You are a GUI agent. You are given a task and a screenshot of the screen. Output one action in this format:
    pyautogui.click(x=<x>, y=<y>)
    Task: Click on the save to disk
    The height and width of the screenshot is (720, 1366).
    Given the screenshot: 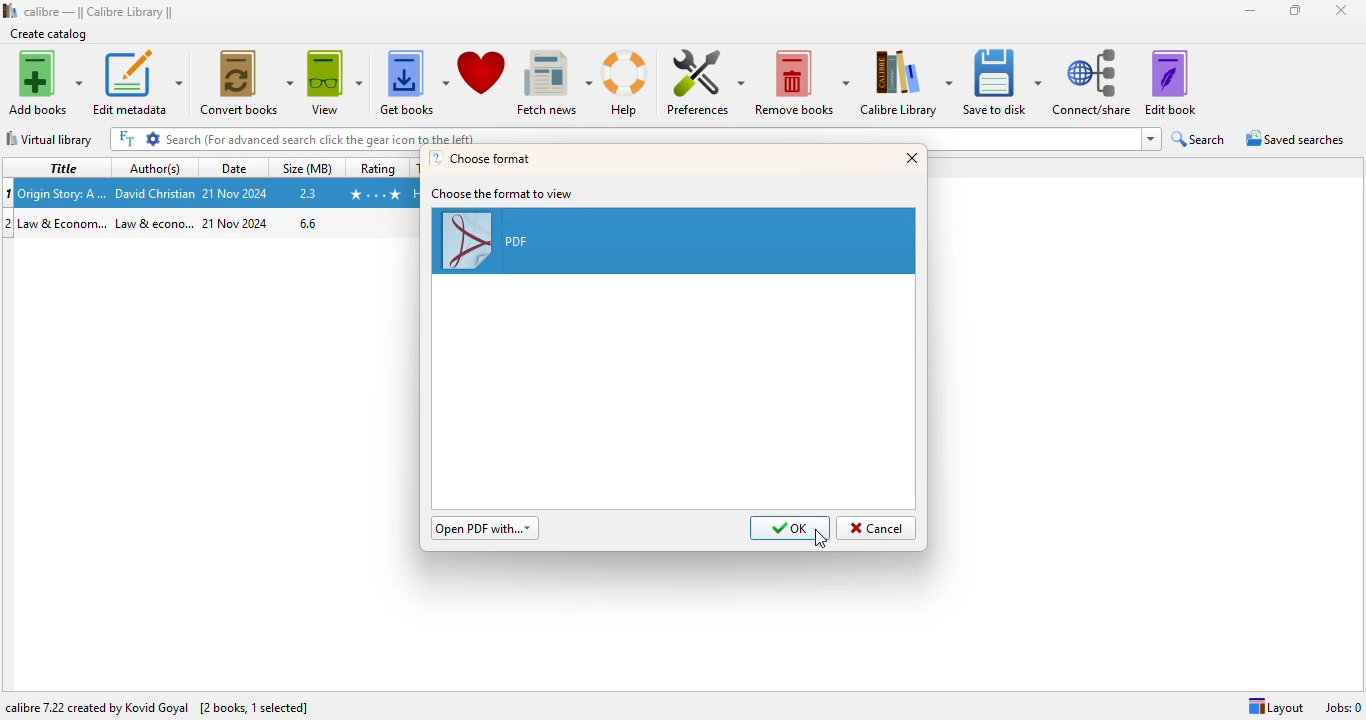 What is the action you would take?
    pyautogui.click(x=1003, y=83)
    